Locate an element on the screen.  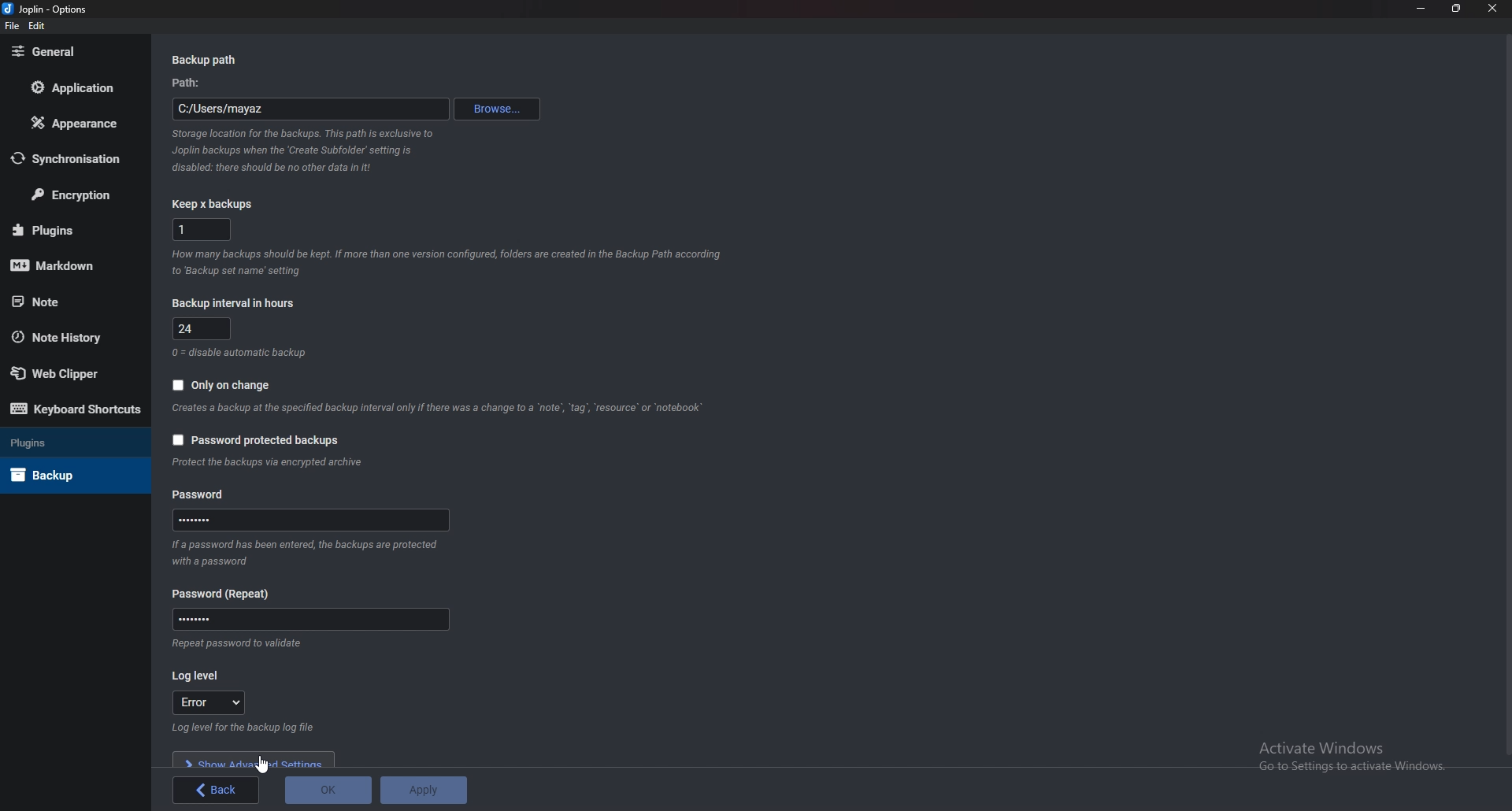
Hours is located at coordinates (205, 329).